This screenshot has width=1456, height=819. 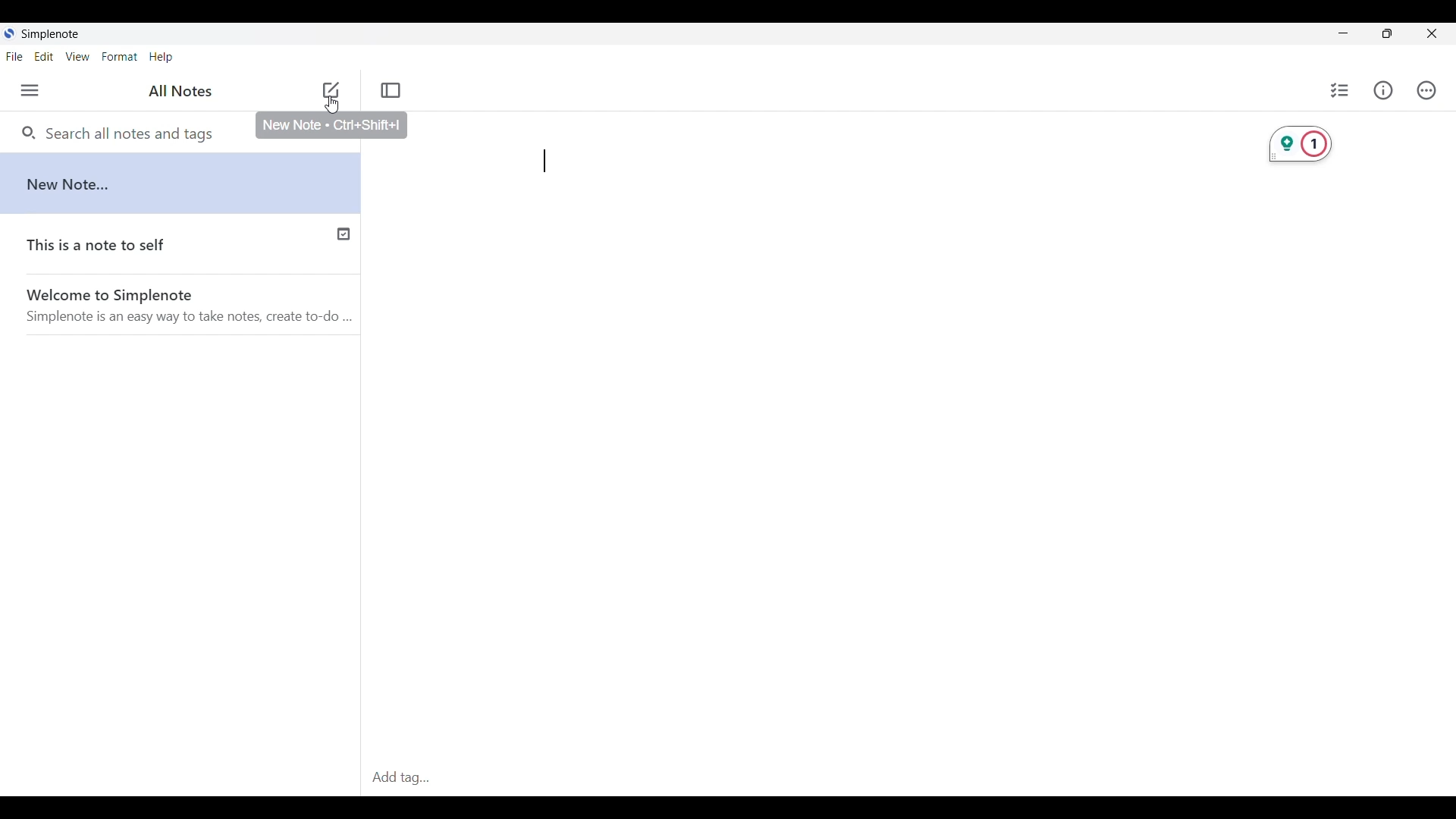 I want to click on Click to add note, so click(x=331, y=89).